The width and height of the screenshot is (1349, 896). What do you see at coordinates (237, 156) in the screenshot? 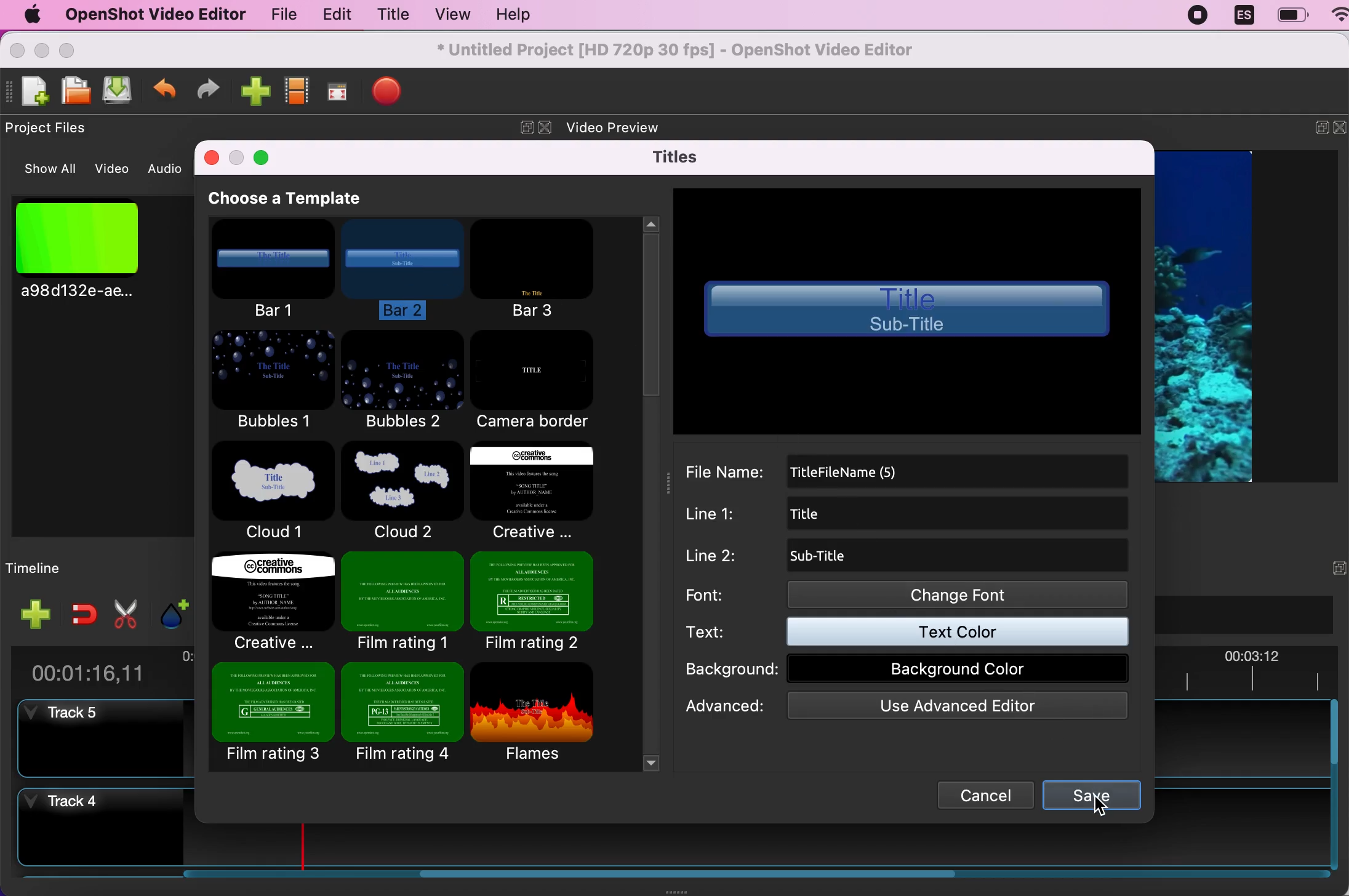
I see `minimize` at bounding box center [237, 156].